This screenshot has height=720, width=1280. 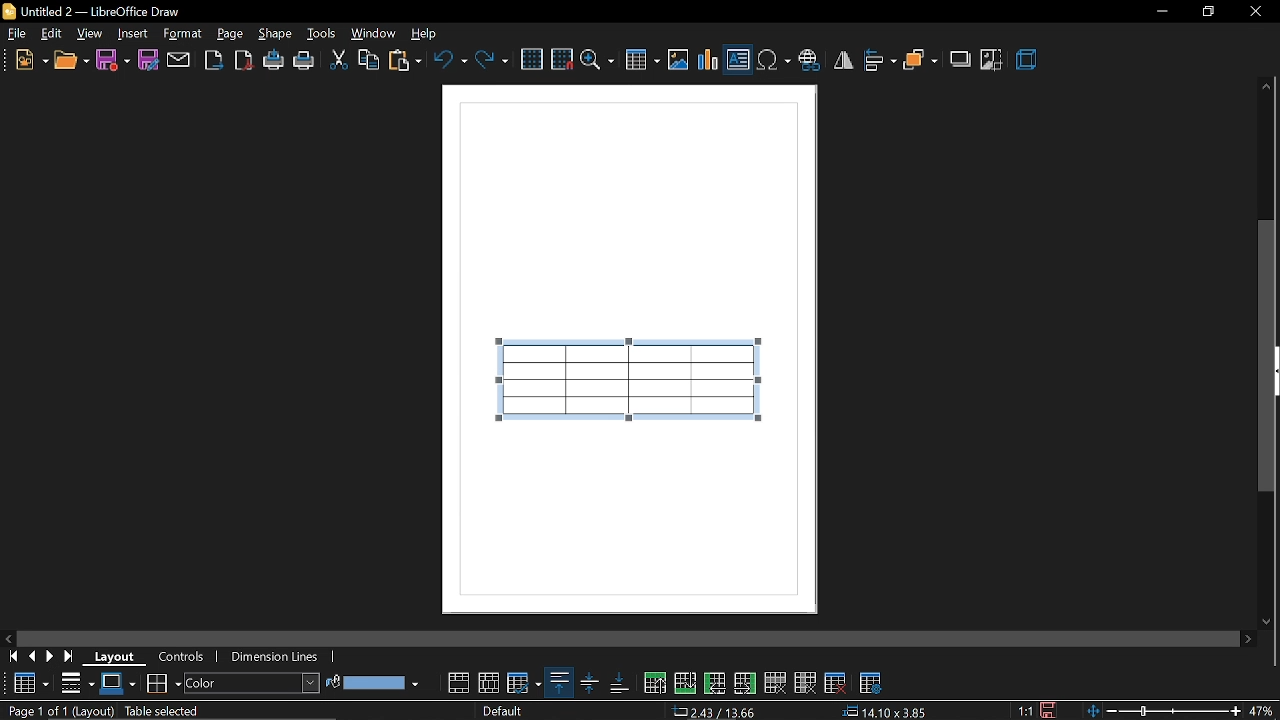 What do you see at coordinates (14, 33) in the screenshot?
I see `file` at bounding box center [14, 33].